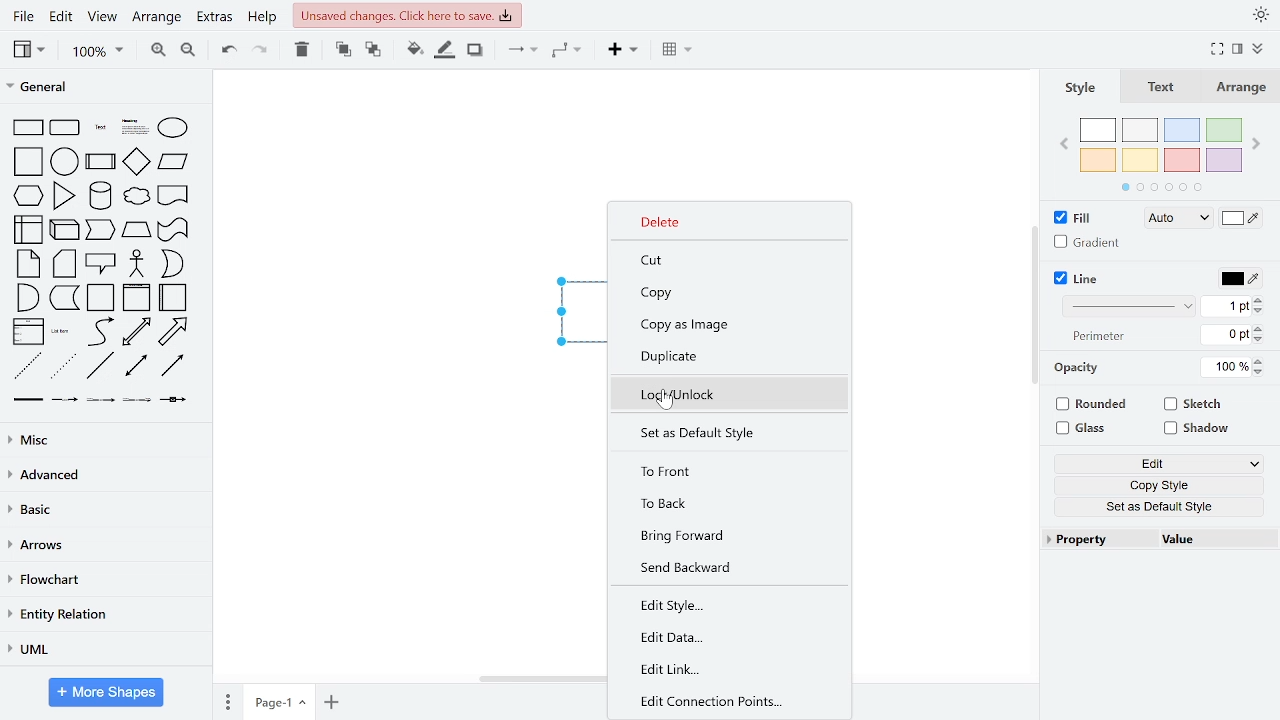  I want to click on gradient, so click(1089, 242).